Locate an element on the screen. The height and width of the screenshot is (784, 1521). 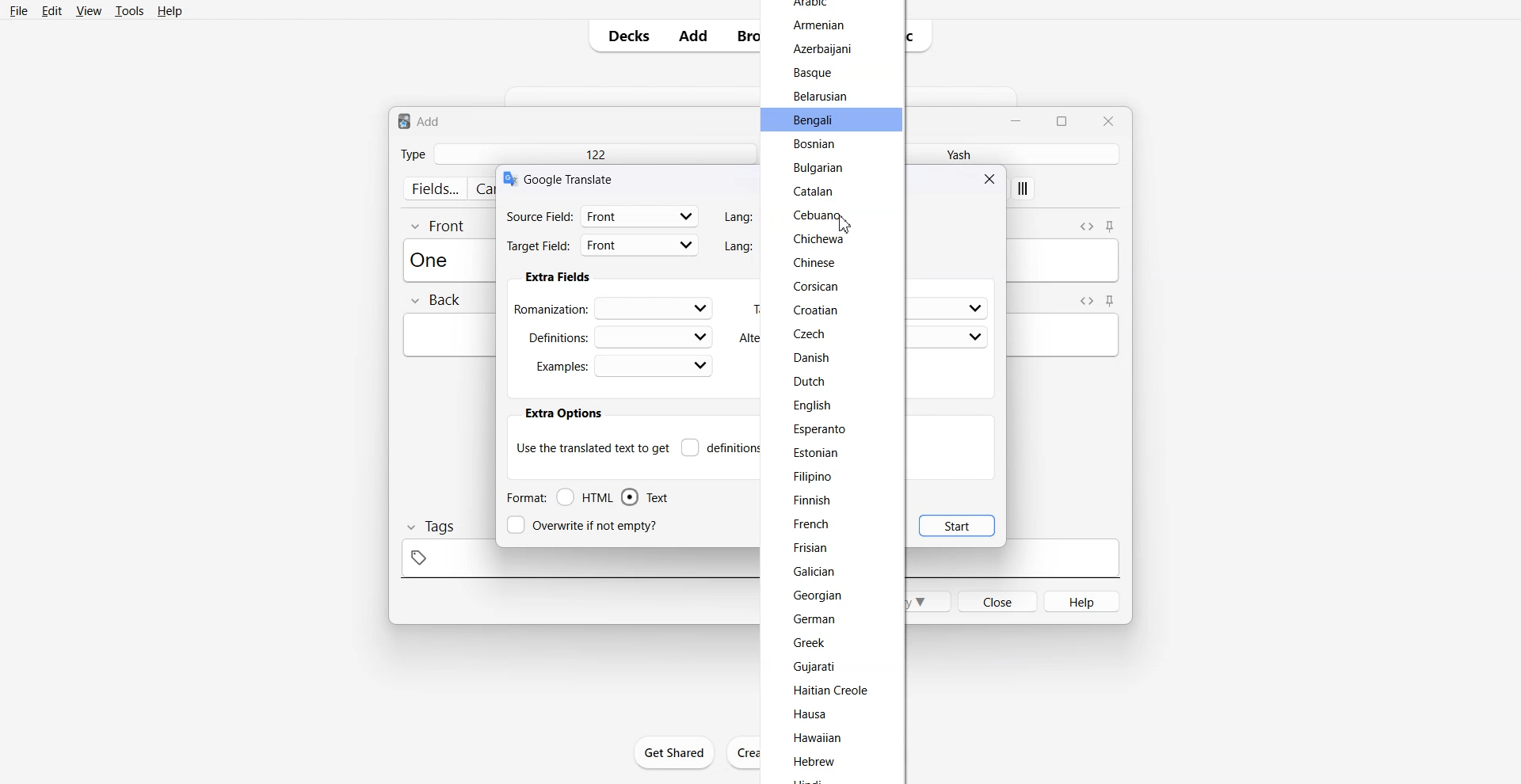
Esperanto is located at coordinates (821, 431).